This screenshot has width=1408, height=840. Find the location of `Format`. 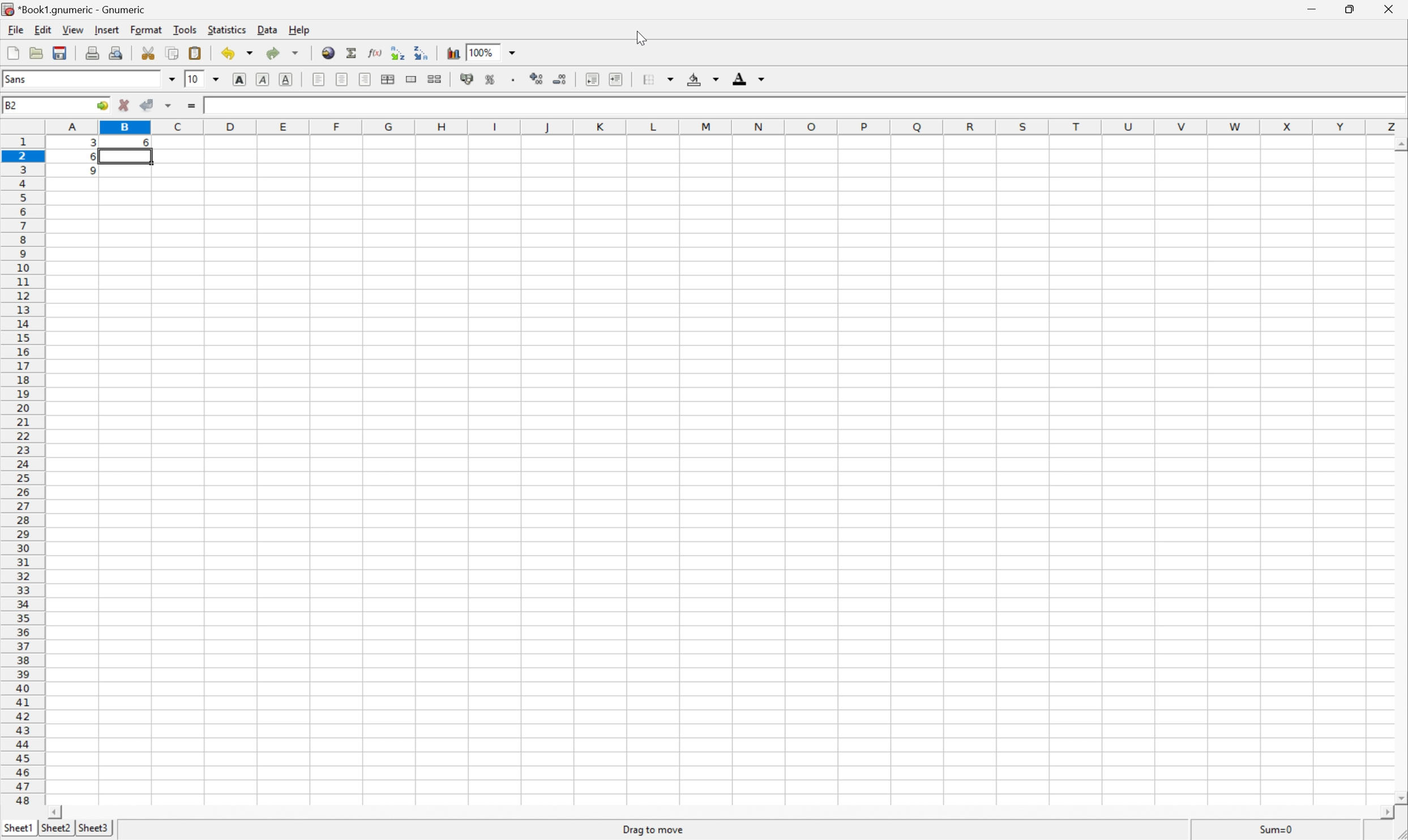

Format is located at coordinates (146, 29).